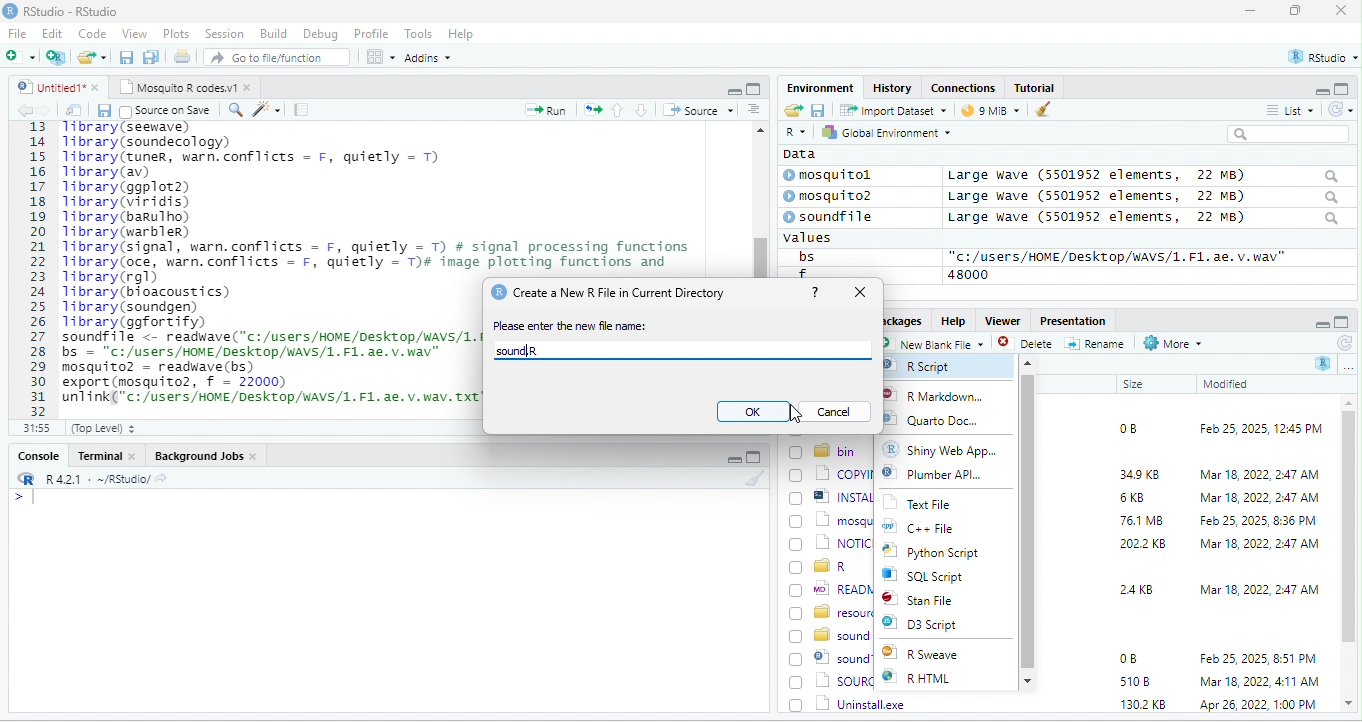  What do you see at coordinates (94, 57) in the screenshot?
I see `folder` at bounding box center [94, 57].